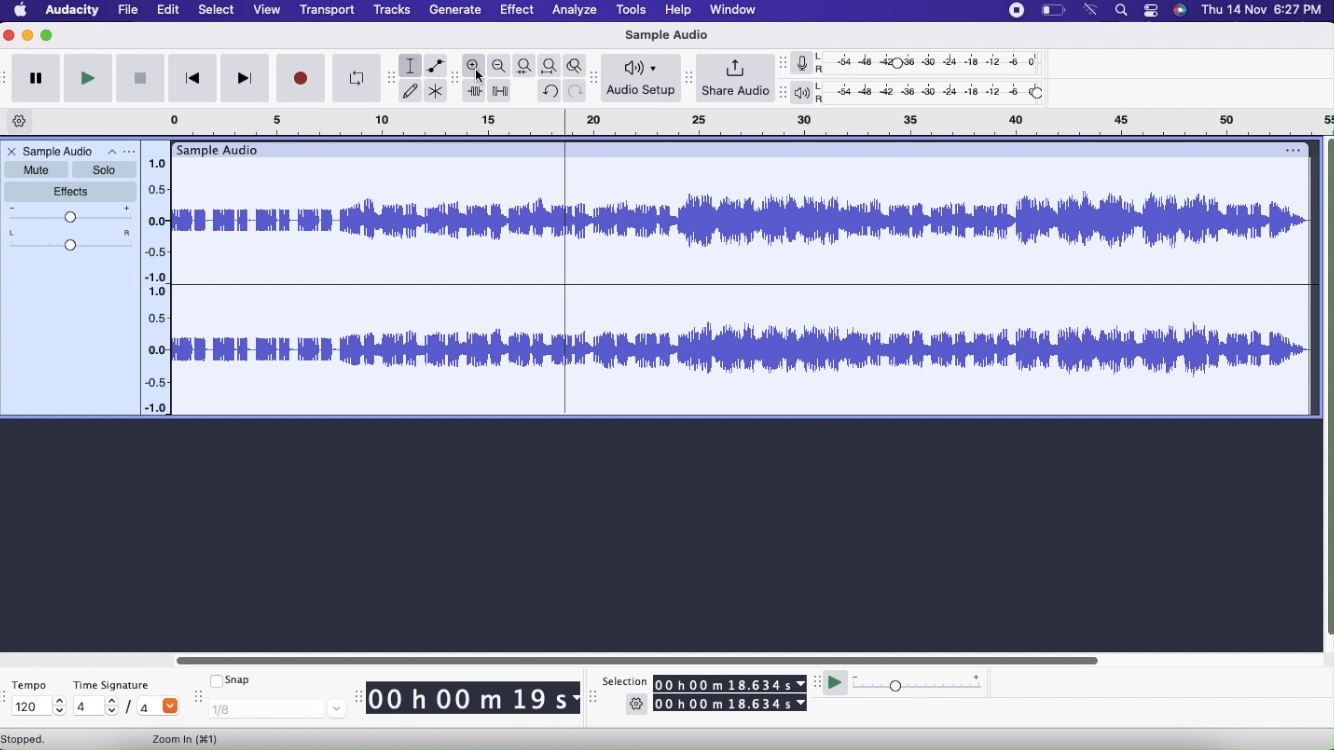 The height and width of the screenshot is (750, 1334). I want to click on Share Audio, so click(735, 78).